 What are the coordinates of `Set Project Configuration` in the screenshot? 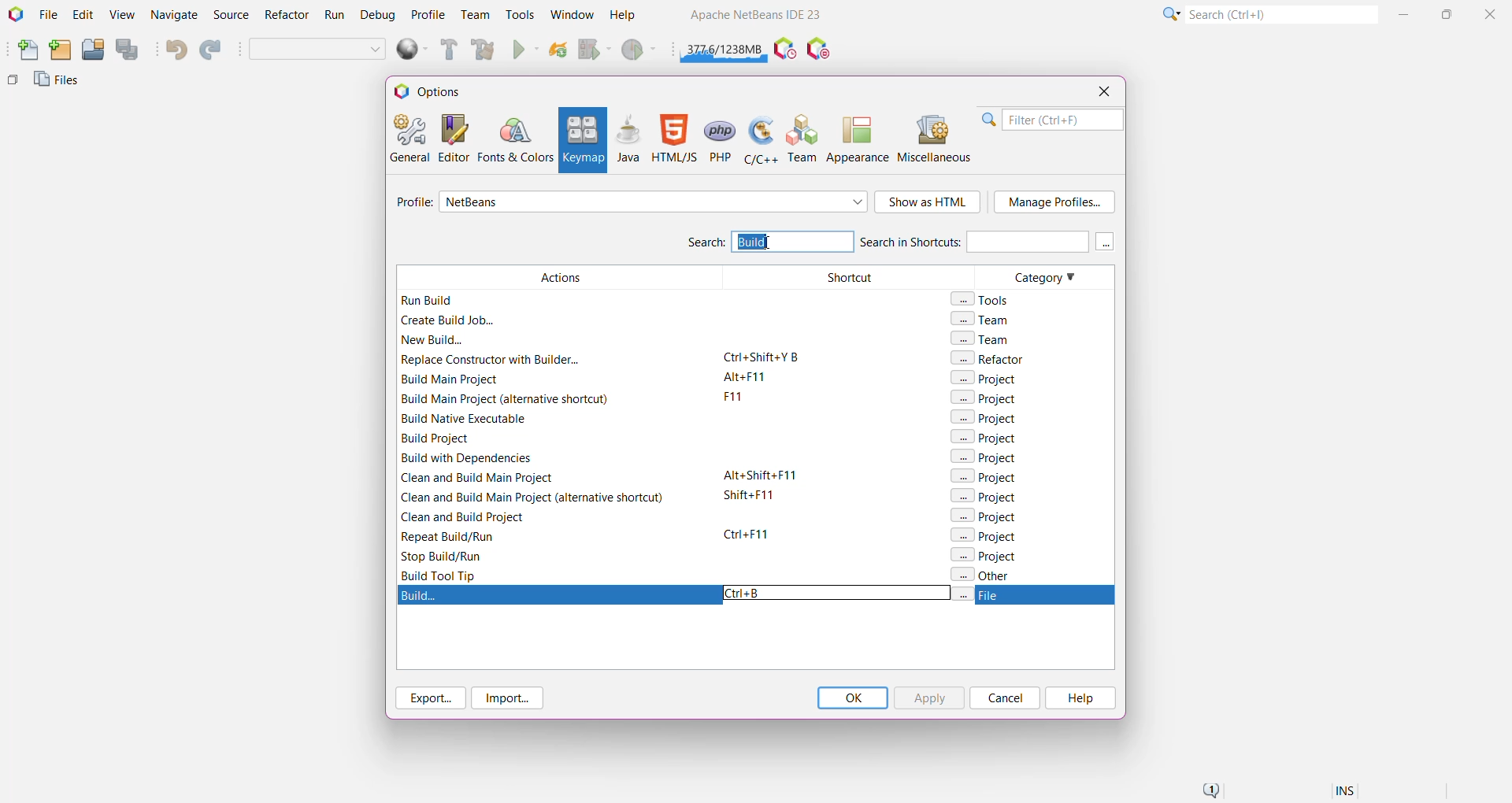 It's located at (318, 50).